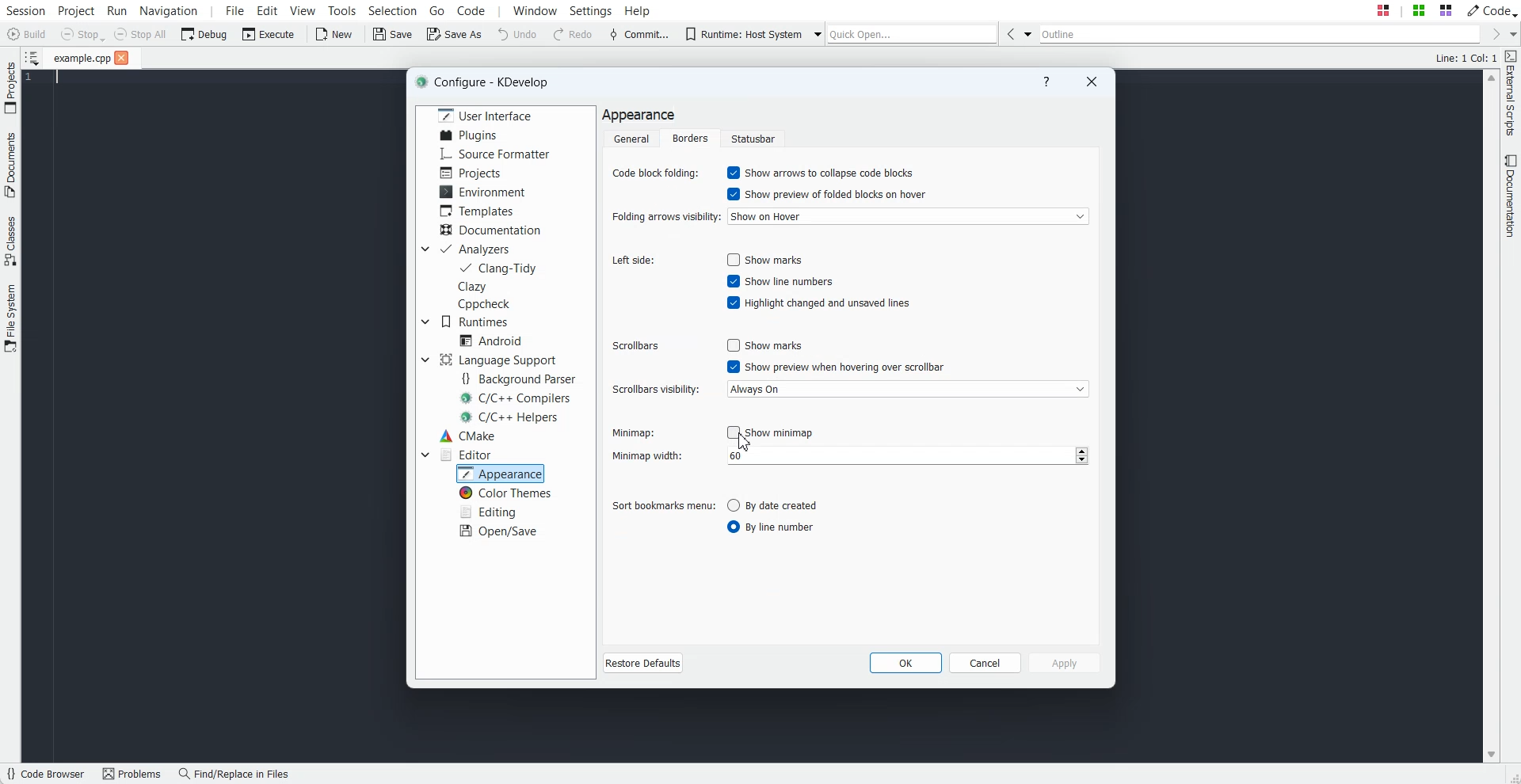  What do you see at coordinates (10, 319) in the screenshot?
I see `File System` at bounding box center [10, 319].